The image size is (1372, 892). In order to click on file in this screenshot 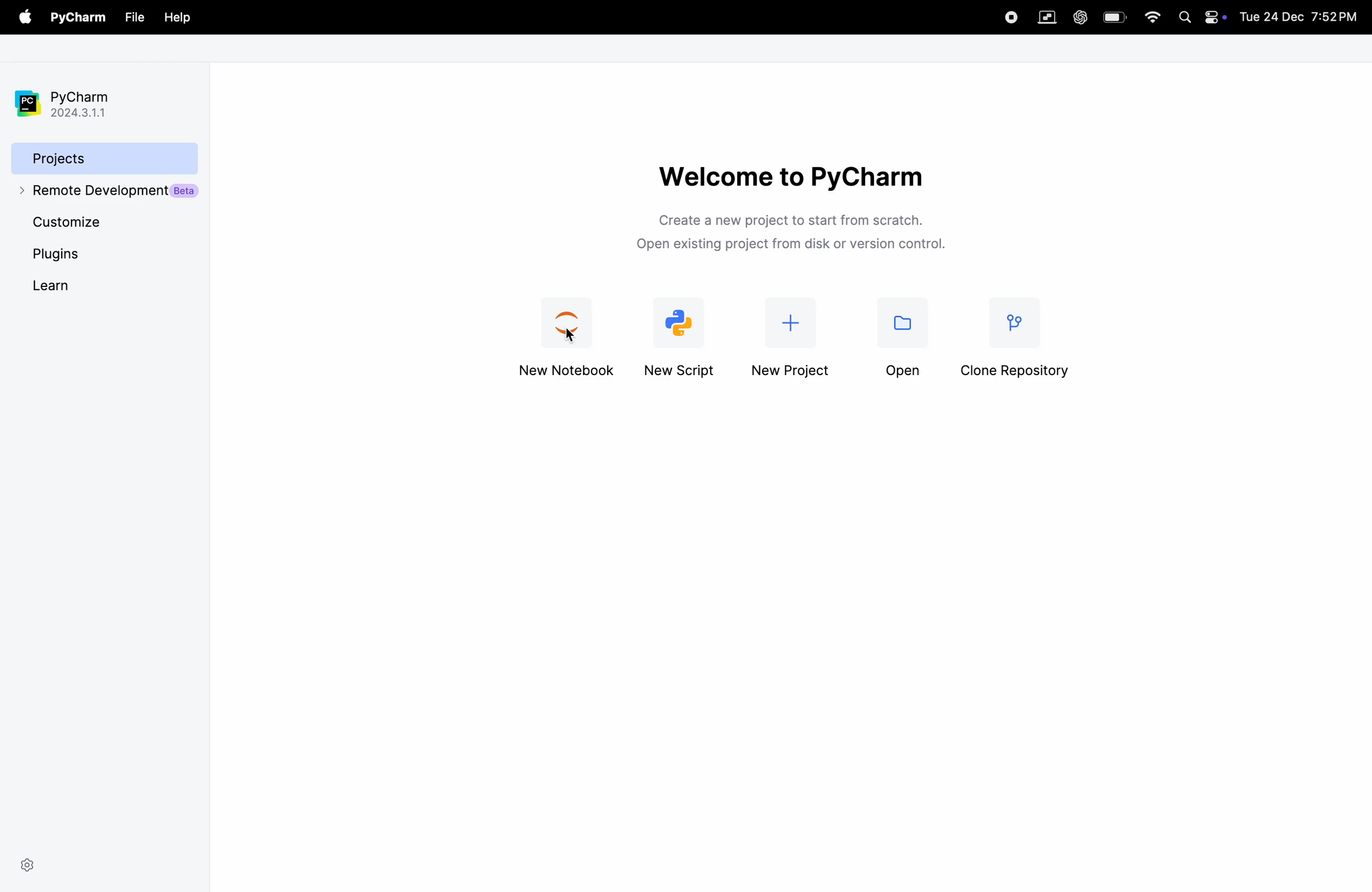, I will do `click(133, 18)`.